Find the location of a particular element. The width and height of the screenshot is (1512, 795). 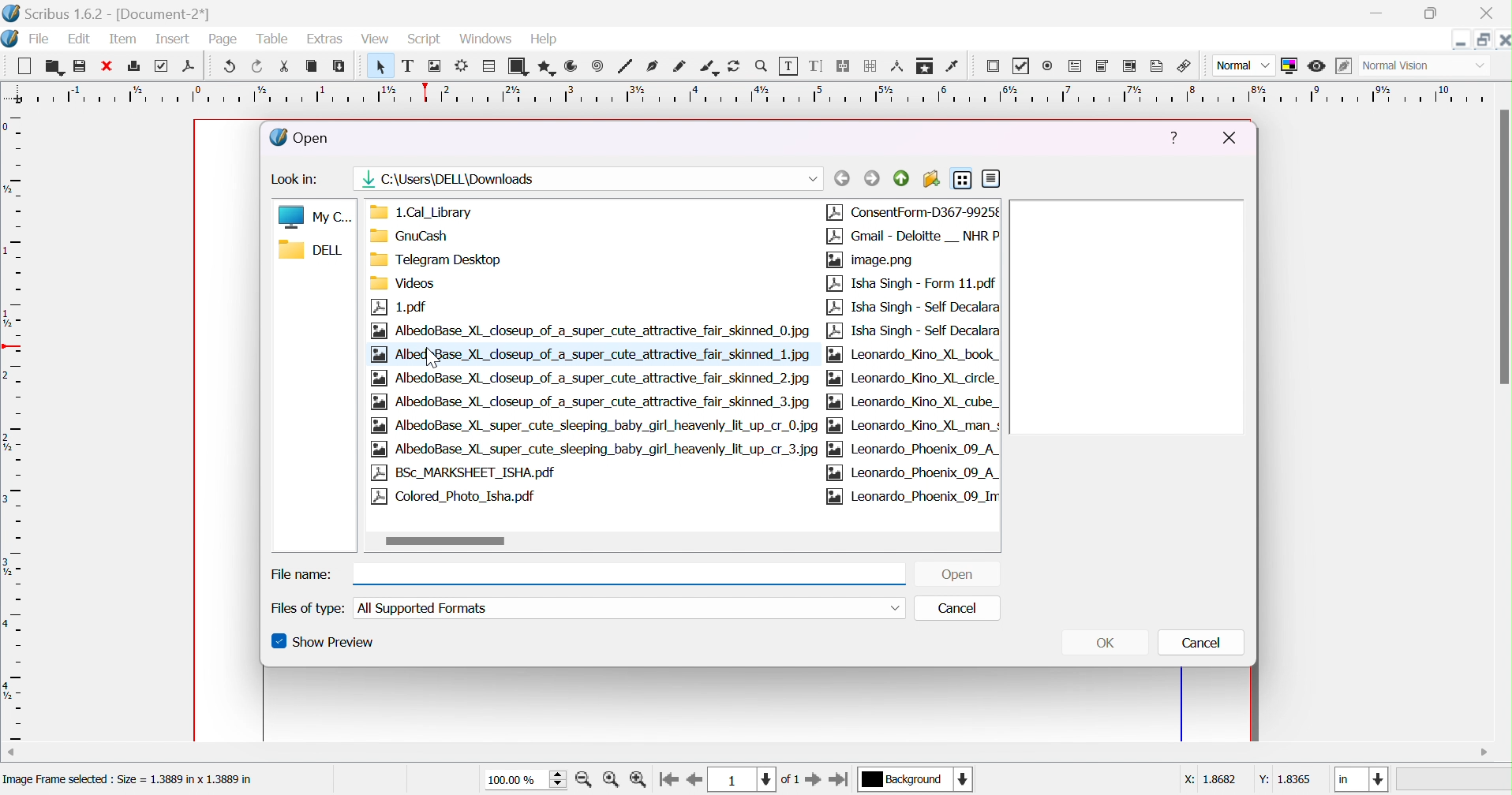

line is located at coordinates (625, 66).